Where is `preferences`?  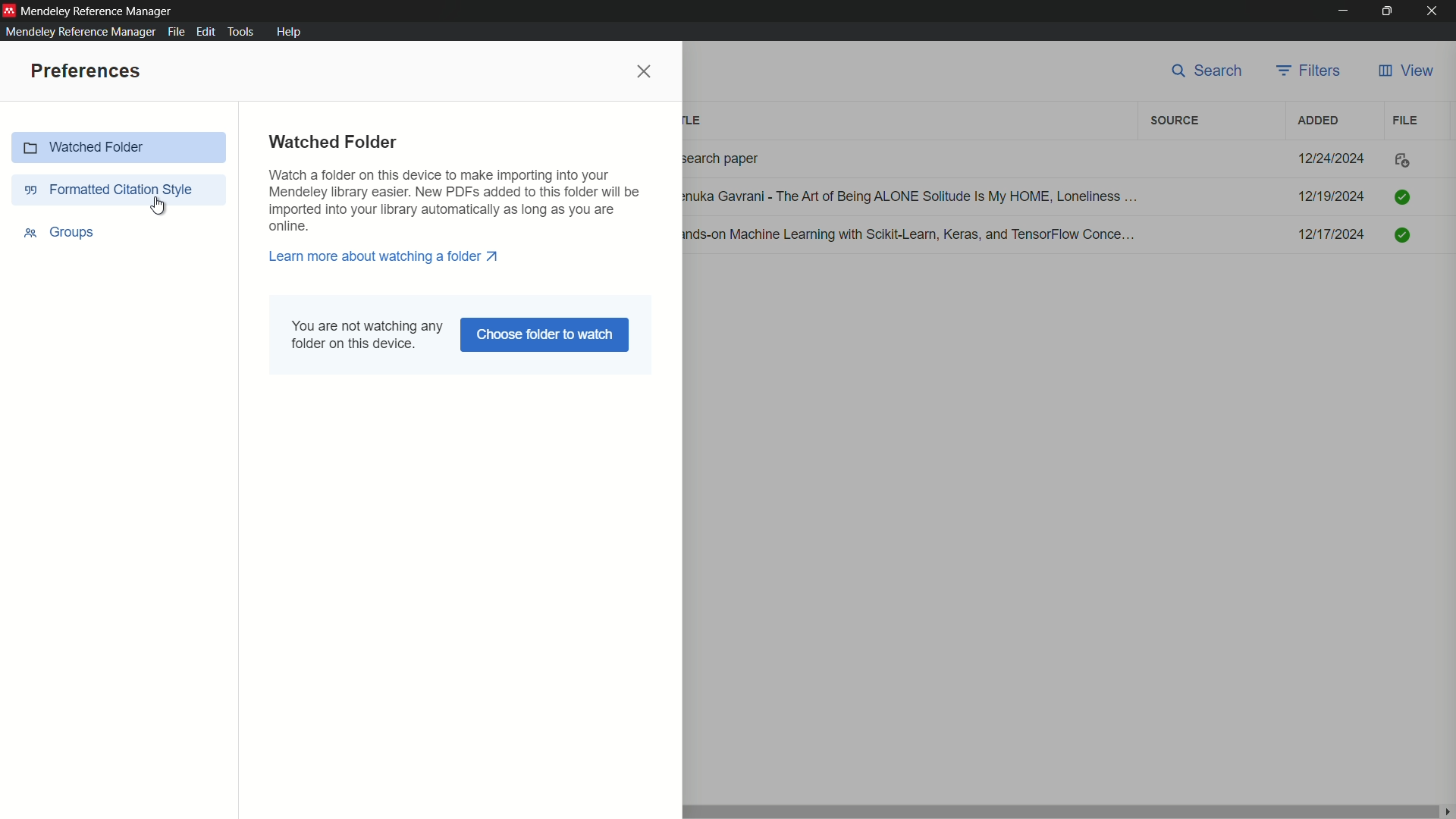 preferences is located at coordinates (83, 71).